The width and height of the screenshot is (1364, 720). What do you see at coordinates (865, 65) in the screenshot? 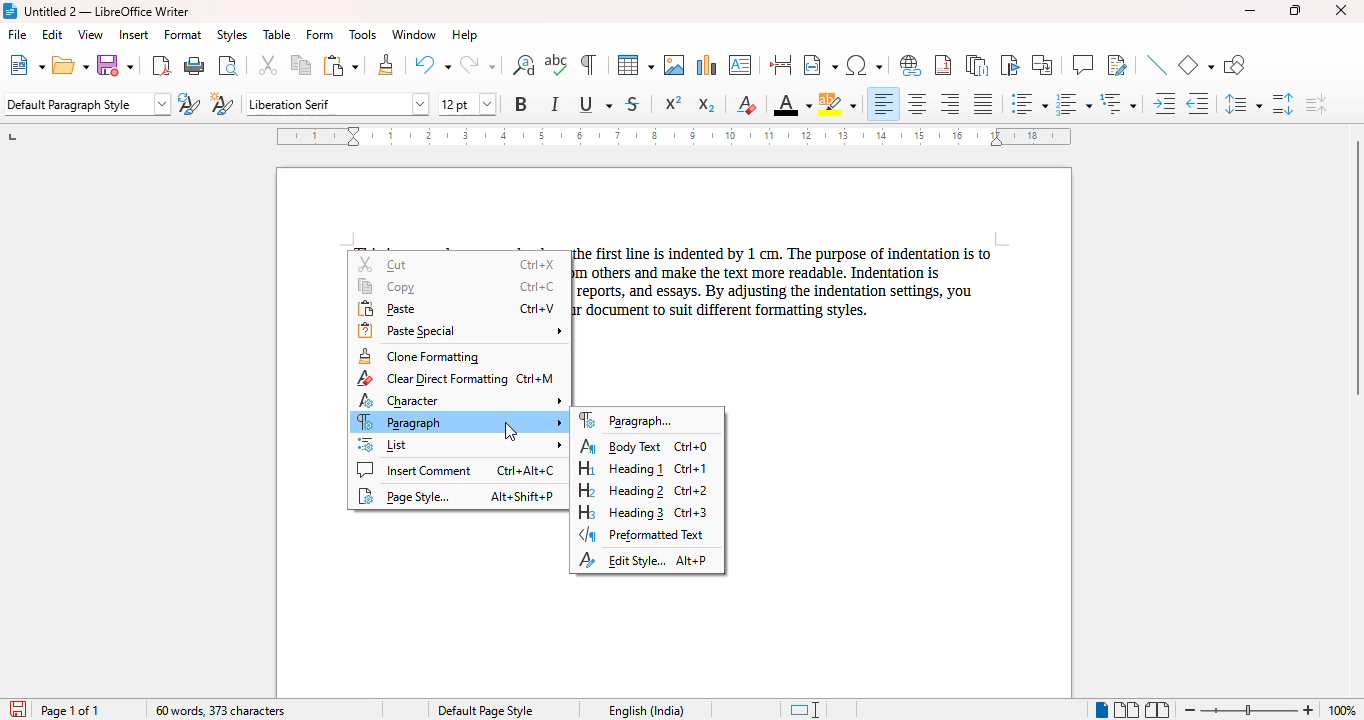
I see `insert special characters` at bounding box center [865, 65].